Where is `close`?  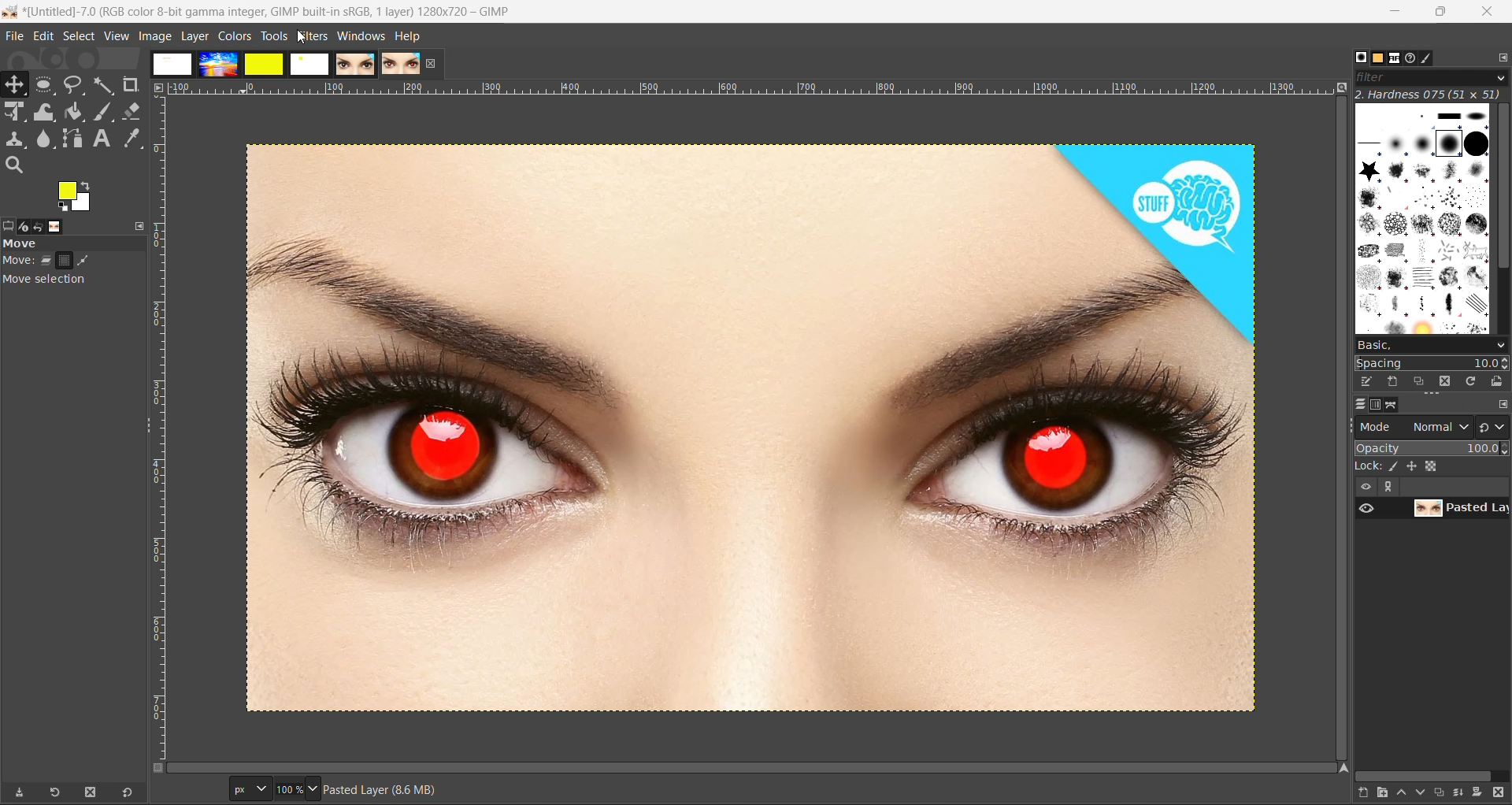
close is located at coordinates (1488, 12).